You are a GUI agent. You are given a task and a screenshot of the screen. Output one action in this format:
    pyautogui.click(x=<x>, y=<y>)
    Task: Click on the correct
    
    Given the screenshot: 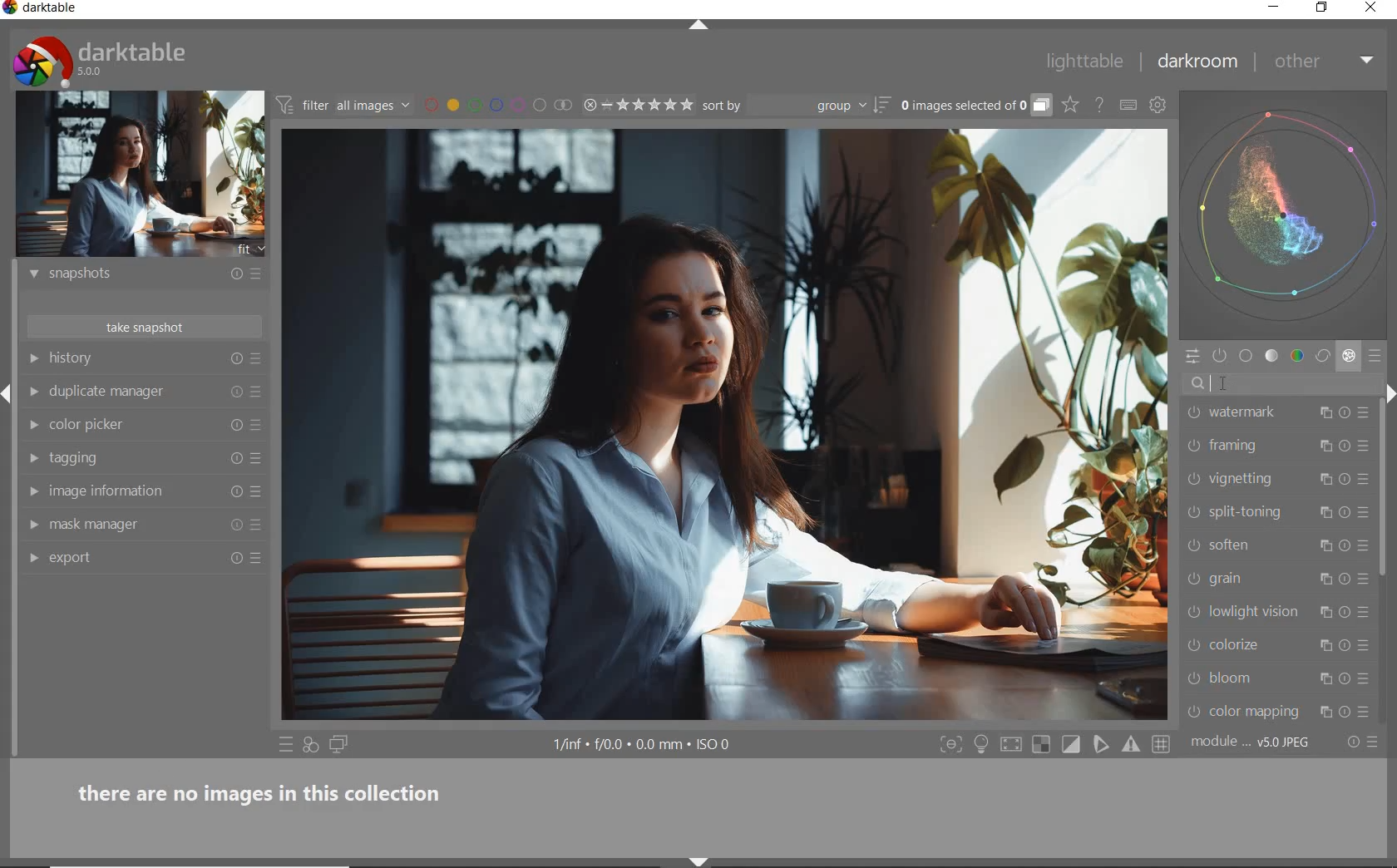 What is the action you would take?
    pyautogui.click(x=1323, y=357)
    